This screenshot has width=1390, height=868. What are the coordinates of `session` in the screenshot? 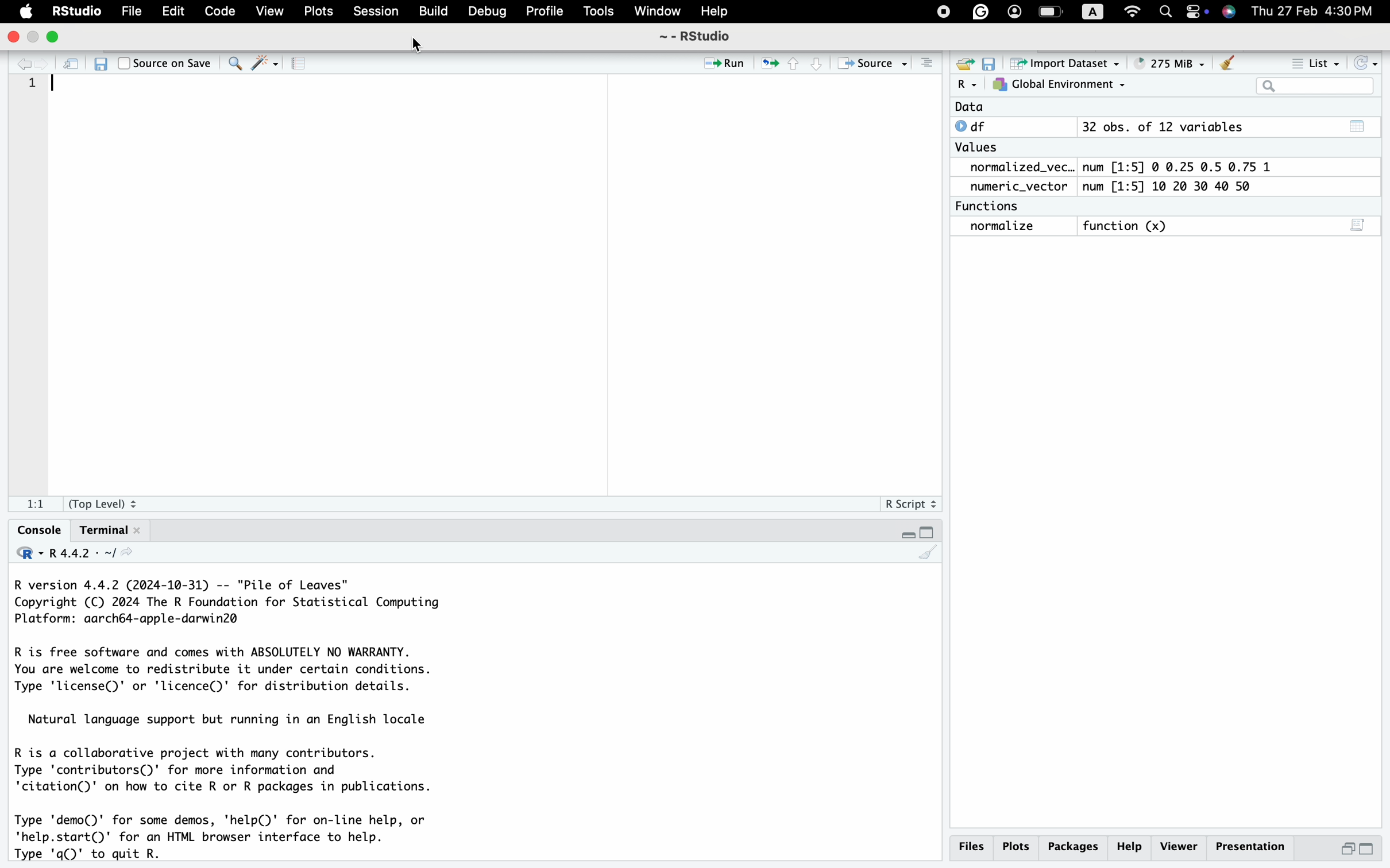 It's located at (374, 12).